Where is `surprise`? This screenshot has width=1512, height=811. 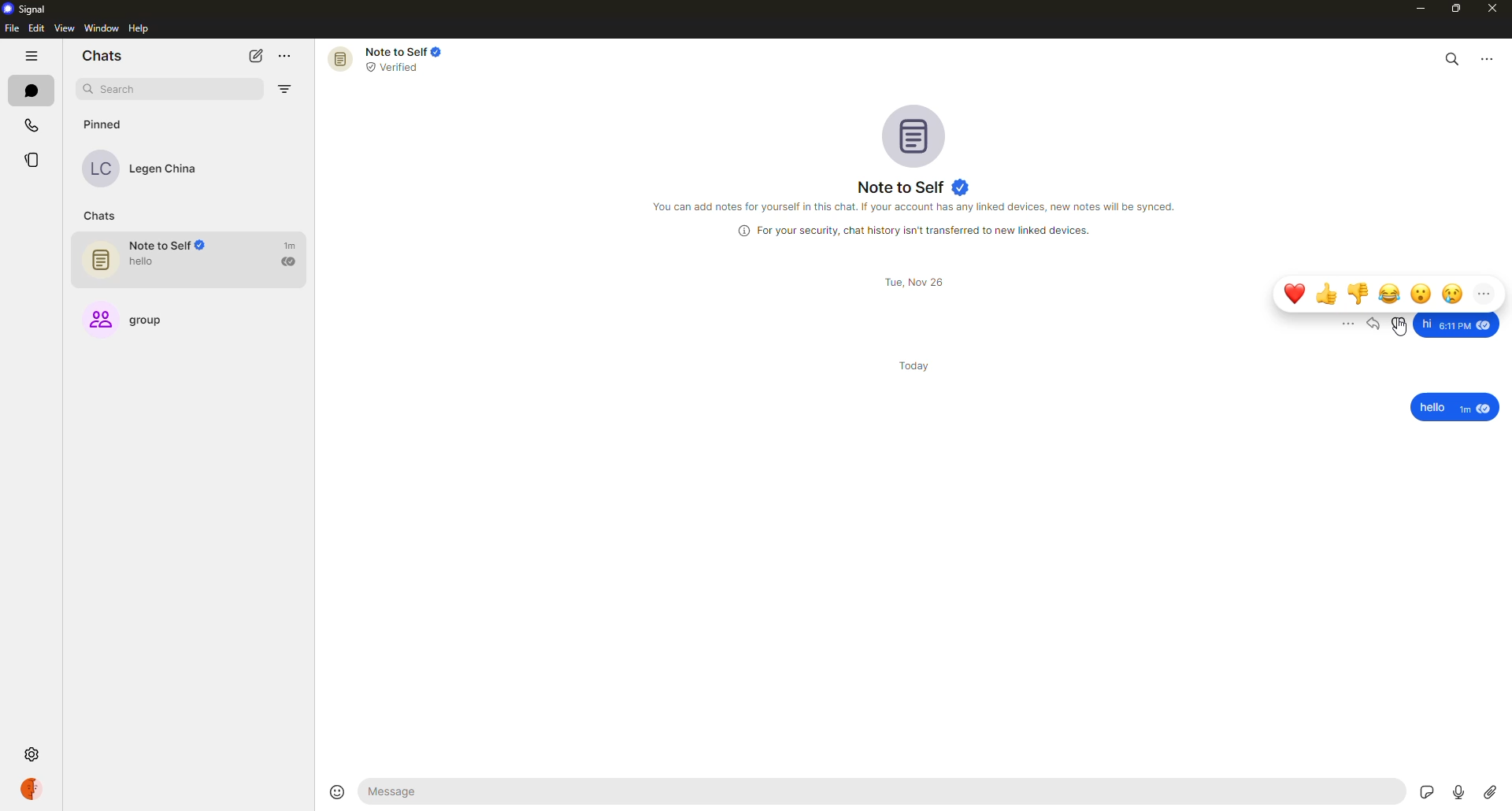
surprise is located at coordinates (1421, 292).